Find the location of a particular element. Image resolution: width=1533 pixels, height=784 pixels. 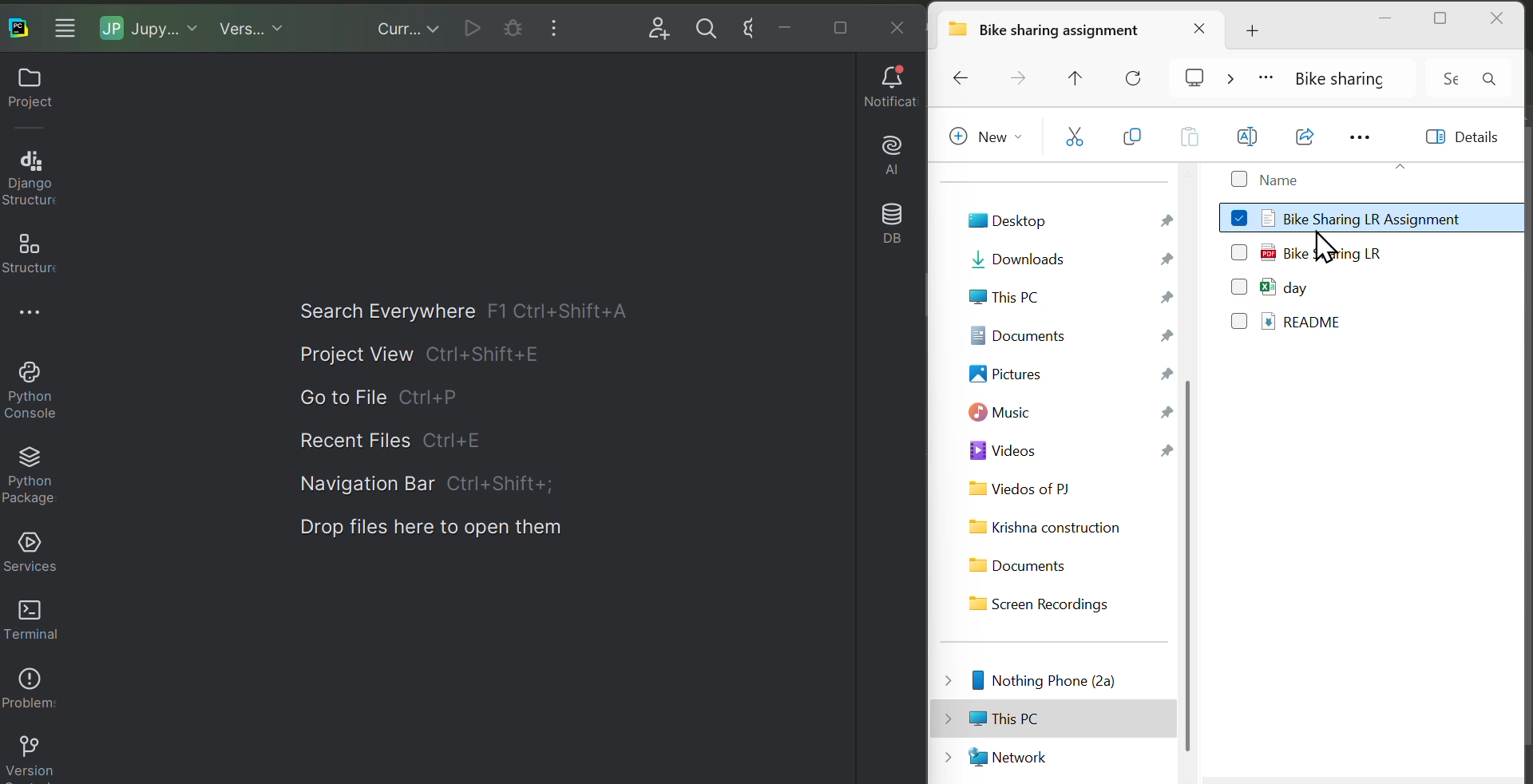

Notifications is located at coordinates (885, 89).